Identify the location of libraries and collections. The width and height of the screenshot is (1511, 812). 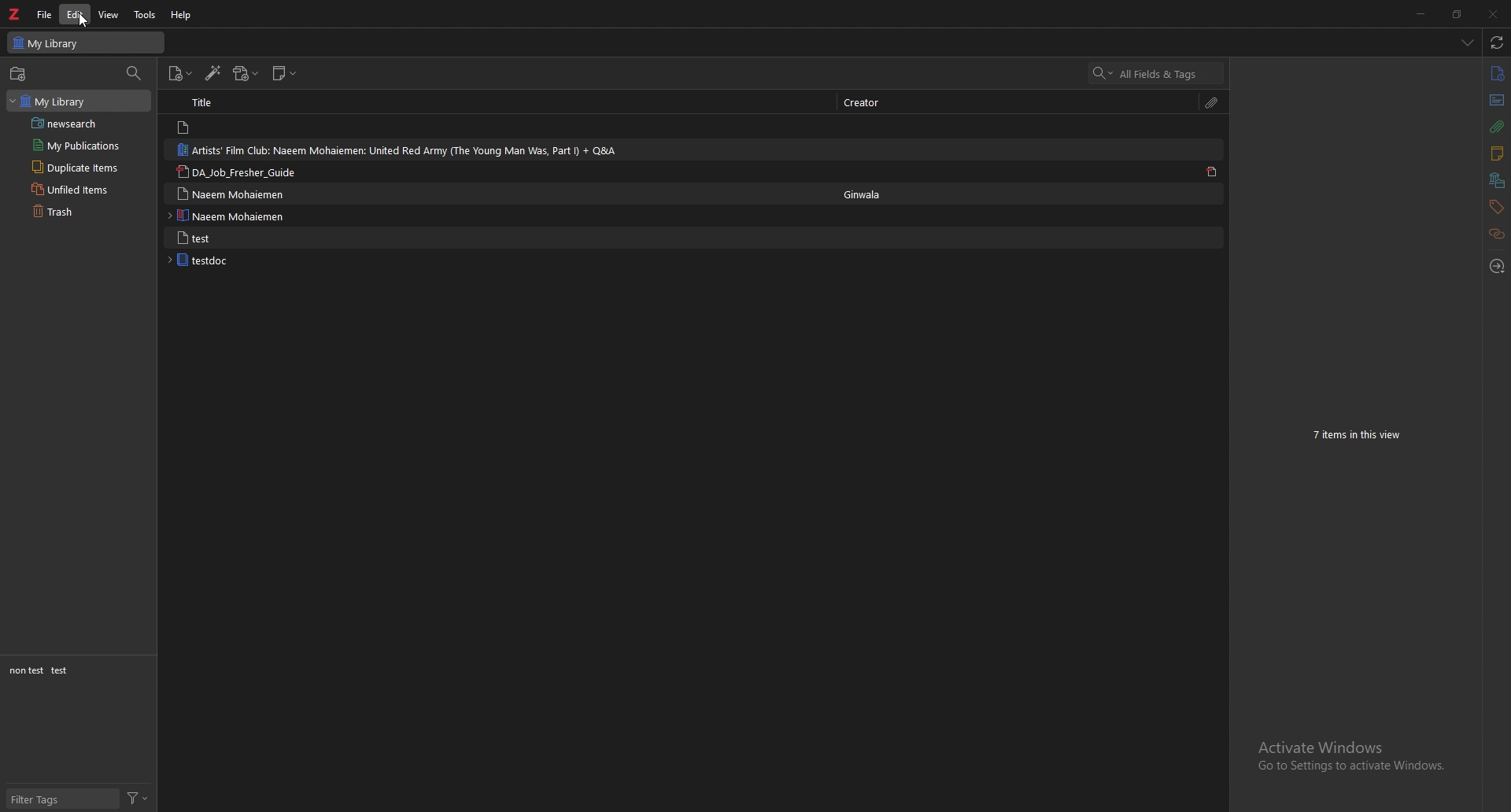
(1497, 181).